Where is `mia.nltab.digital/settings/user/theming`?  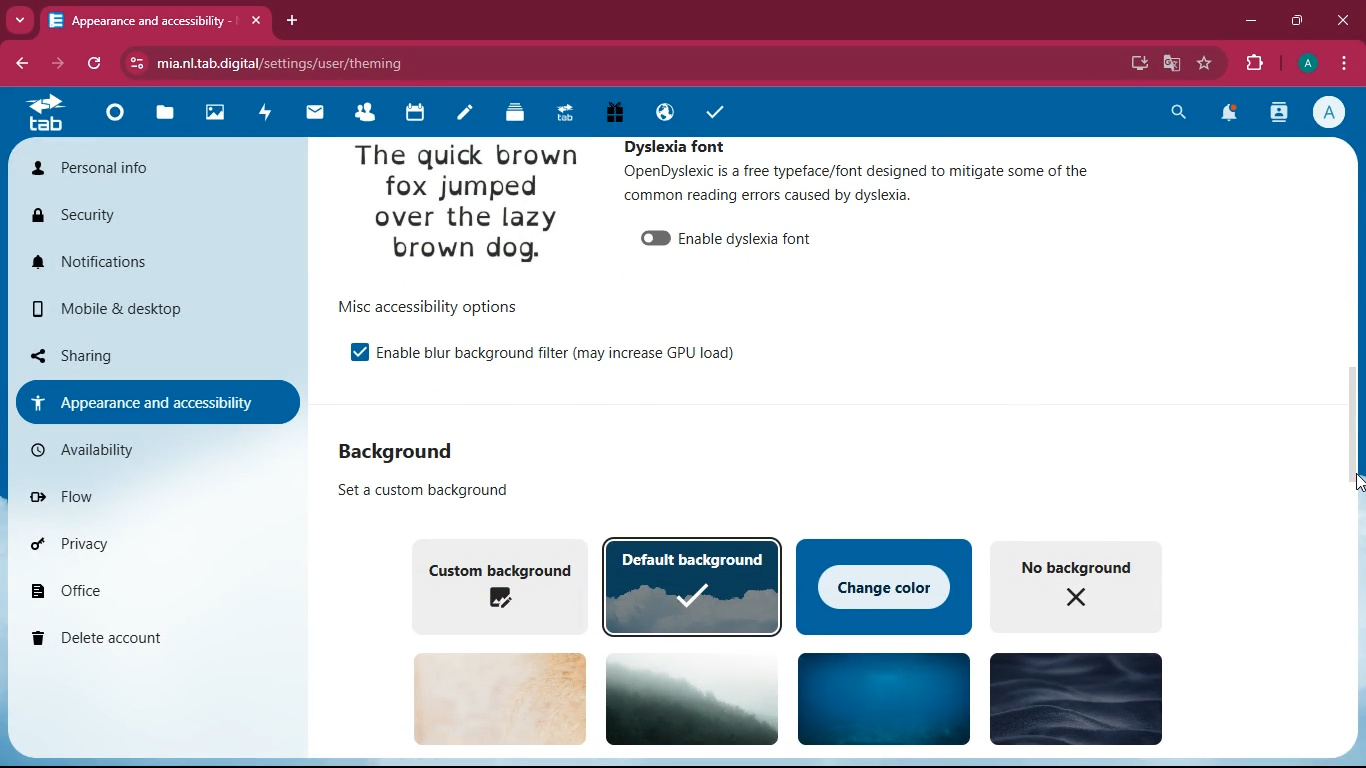
mia.nltab.digital/settings/user/theming is located at coordinates (266, 60).